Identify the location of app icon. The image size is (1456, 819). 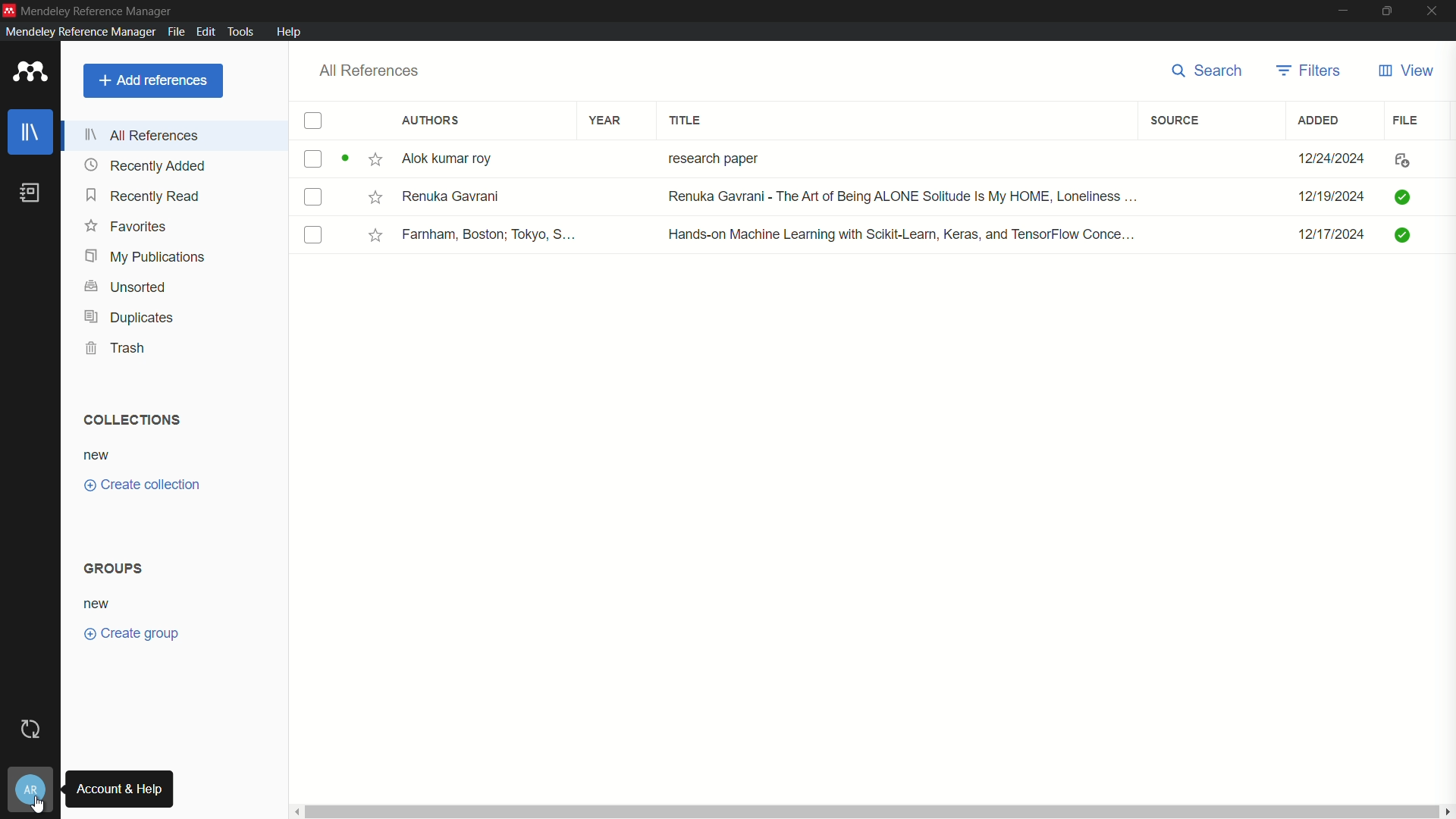
(9, 9).